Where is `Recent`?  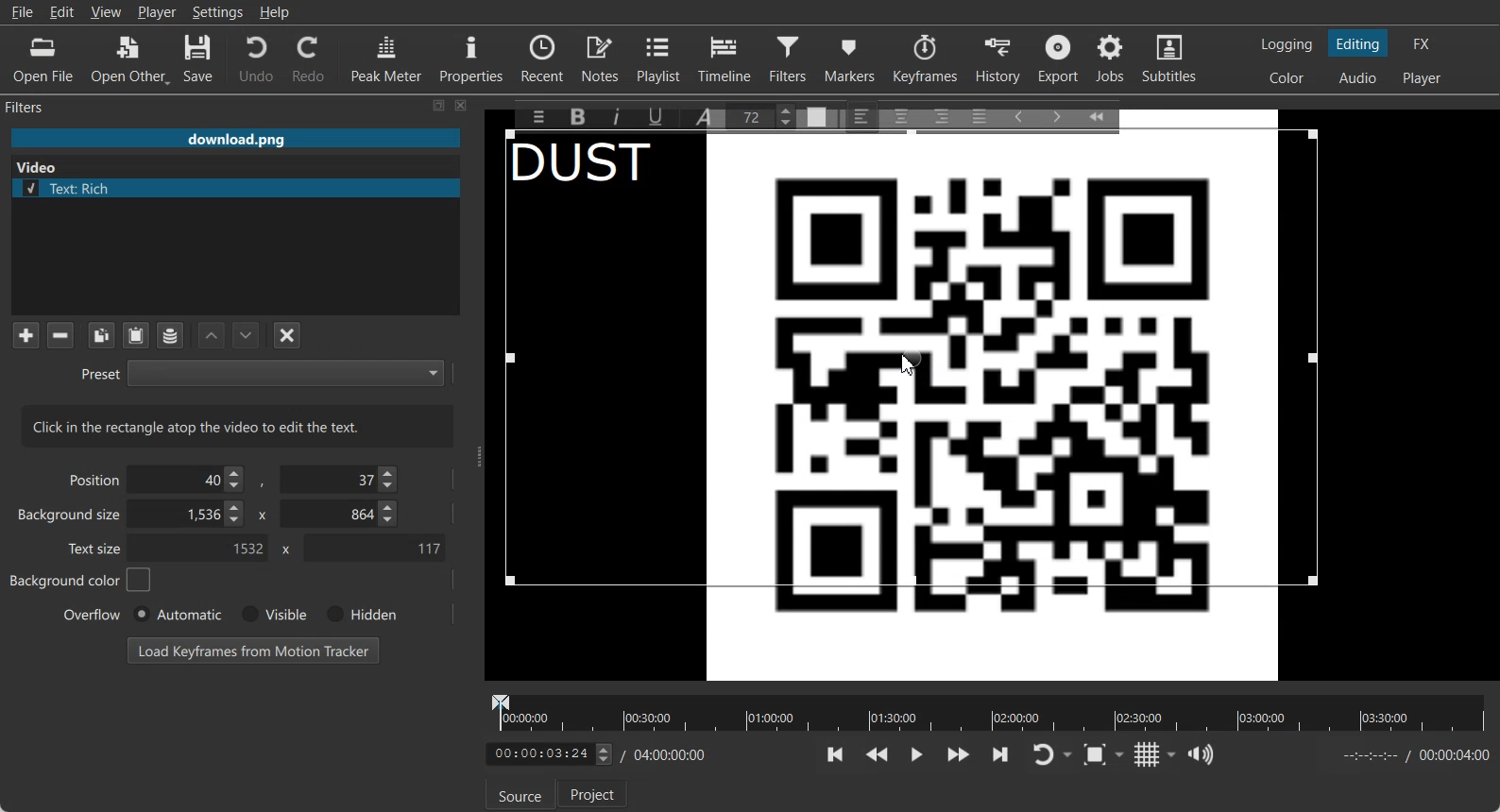
Recent is located at coordinates (542, 57).